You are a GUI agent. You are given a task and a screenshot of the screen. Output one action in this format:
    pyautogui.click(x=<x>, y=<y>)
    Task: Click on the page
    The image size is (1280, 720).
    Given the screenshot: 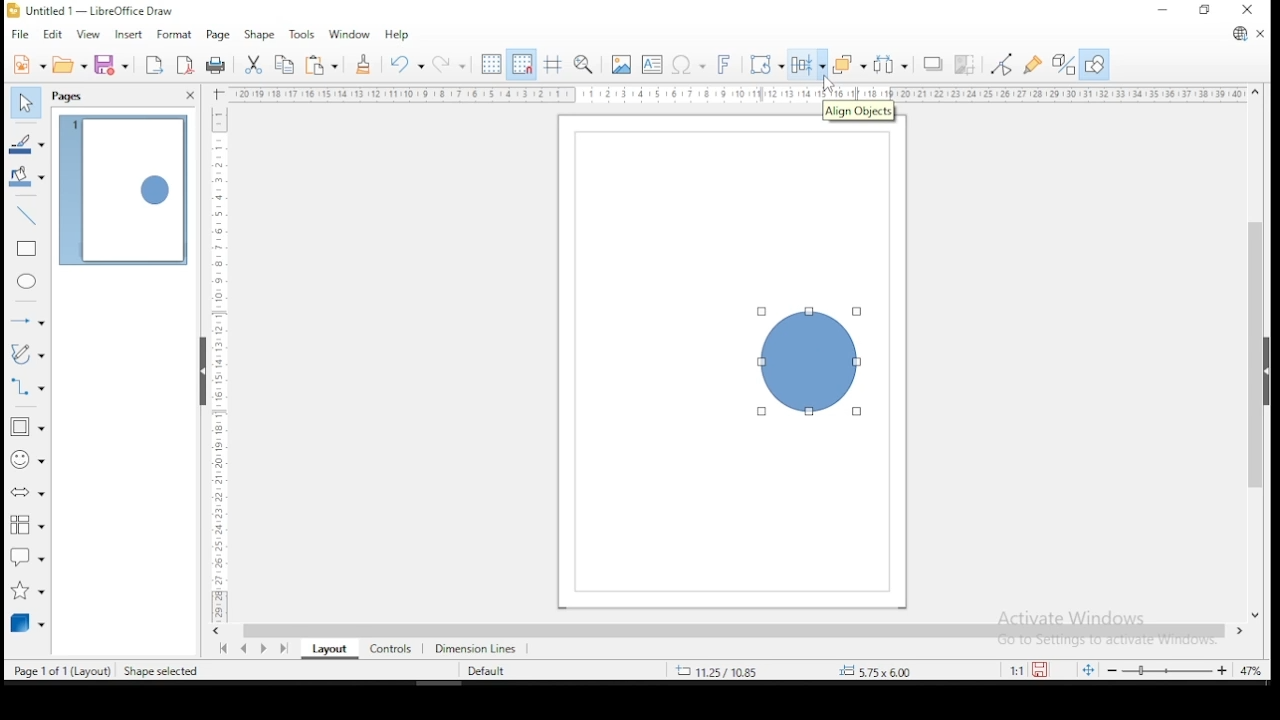 What is the action you would take?
    pyautogui.click(x=217, y=36)
    